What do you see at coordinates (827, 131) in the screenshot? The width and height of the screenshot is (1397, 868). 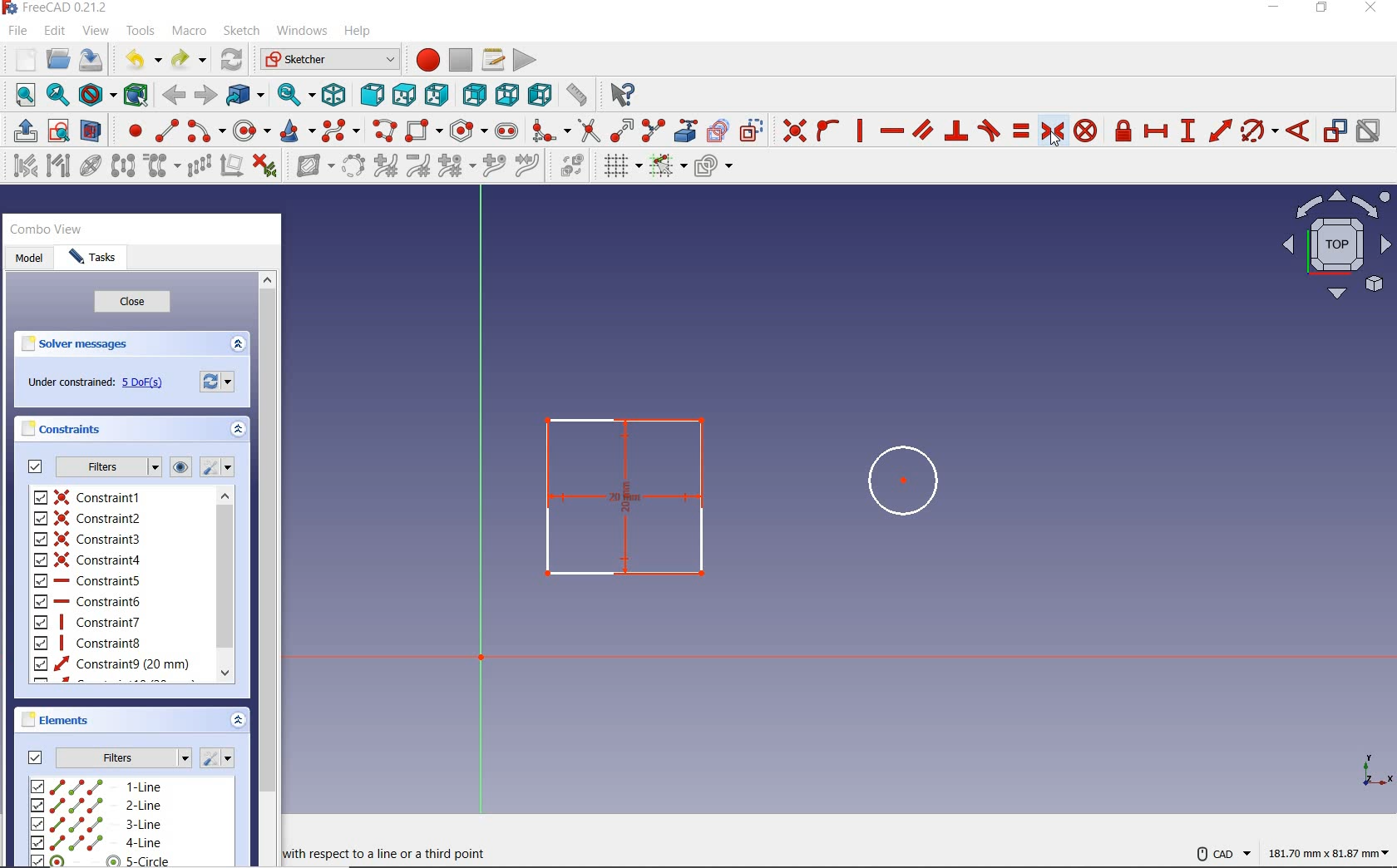 I see `constrain point onto object` at bounding box center [827, 131].